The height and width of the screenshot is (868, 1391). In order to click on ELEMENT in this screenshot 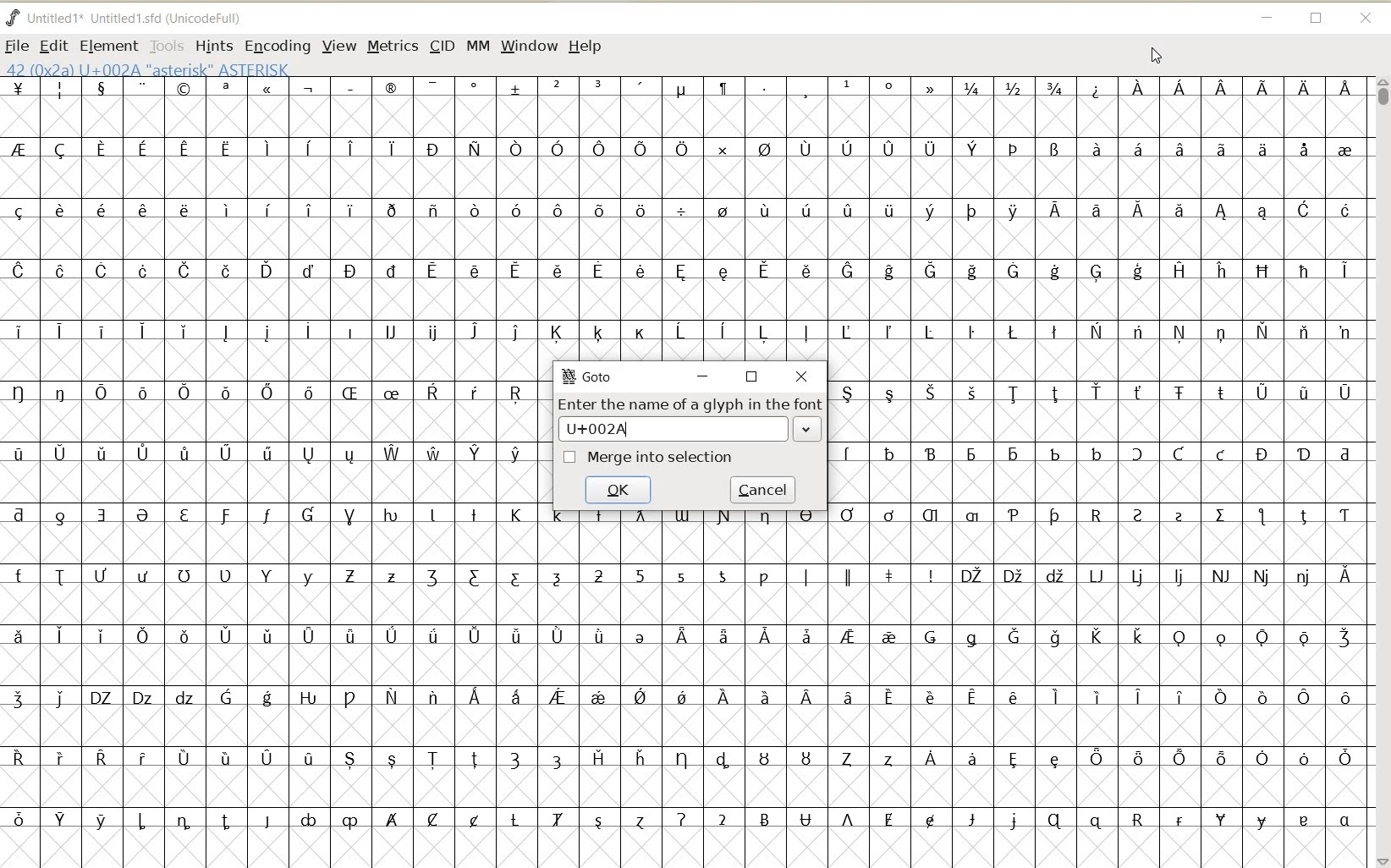, I will do `click(109, 46)`.